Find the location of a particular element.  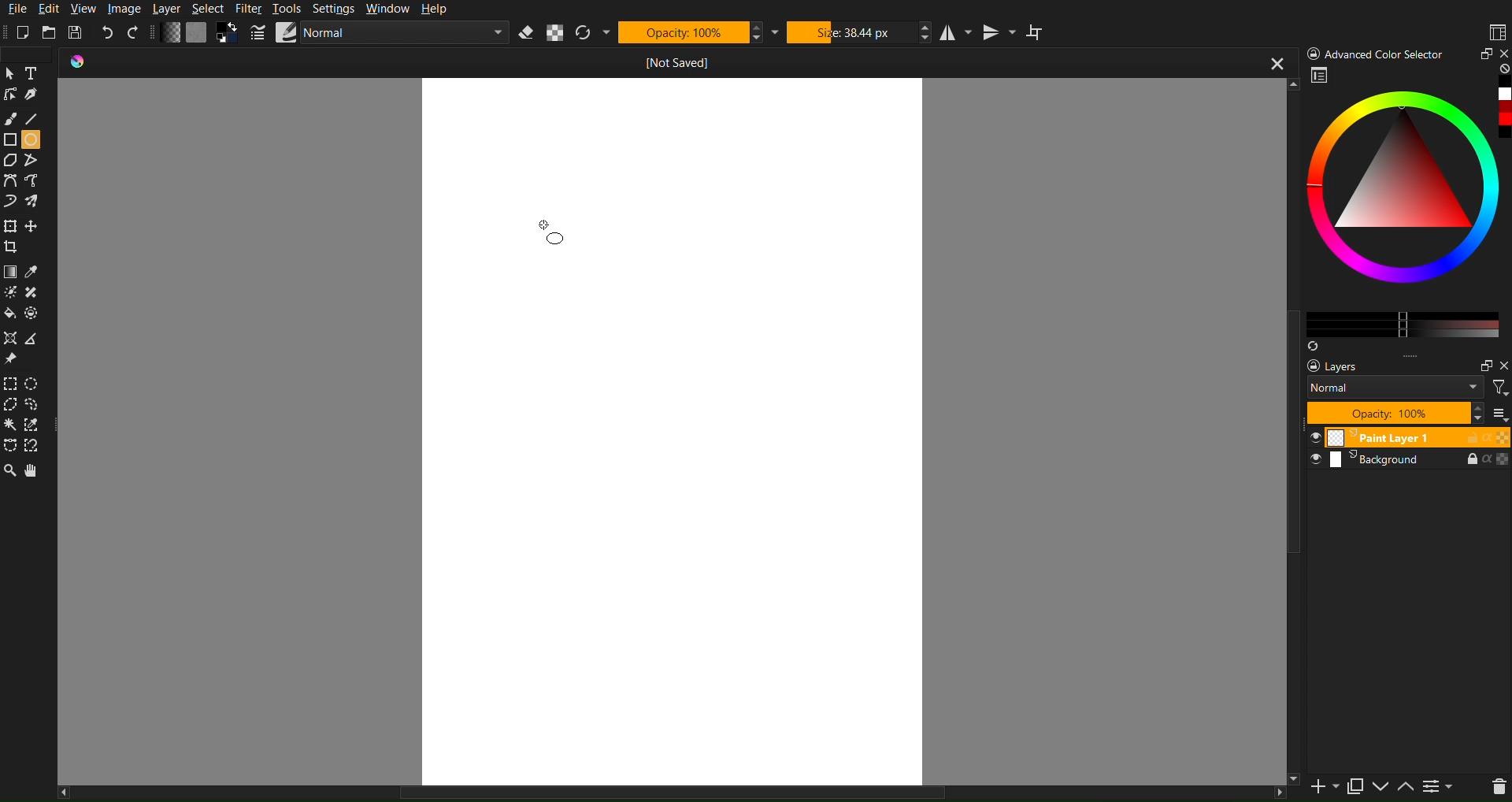

shape is located at coordinates (35, 293).